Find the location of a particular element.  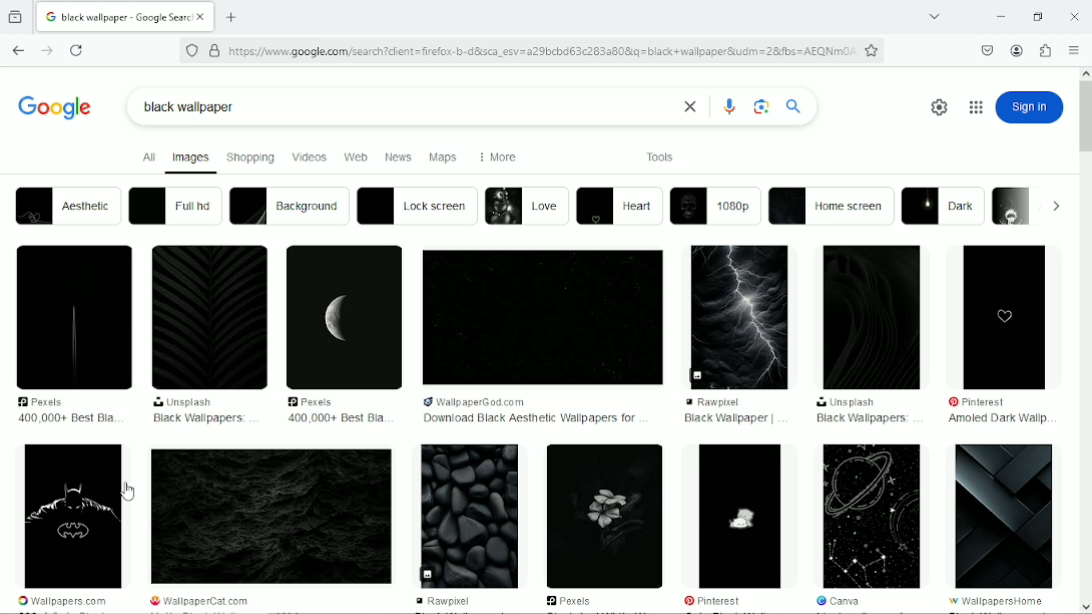

black wallpaper image is located at coordinates (738, 516).